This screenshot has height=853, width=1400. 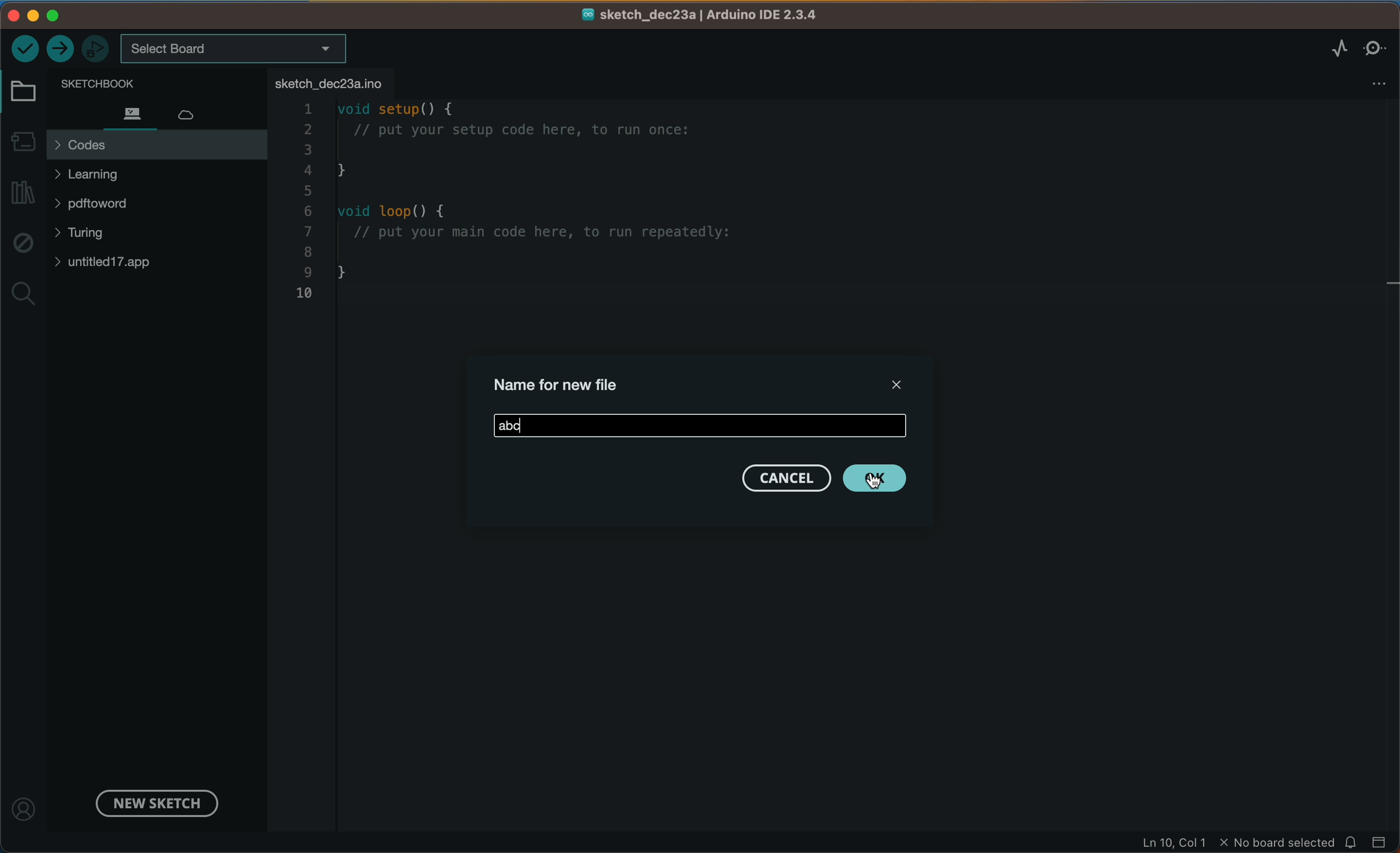 I want to click on learning, so click(x=111, y=174).